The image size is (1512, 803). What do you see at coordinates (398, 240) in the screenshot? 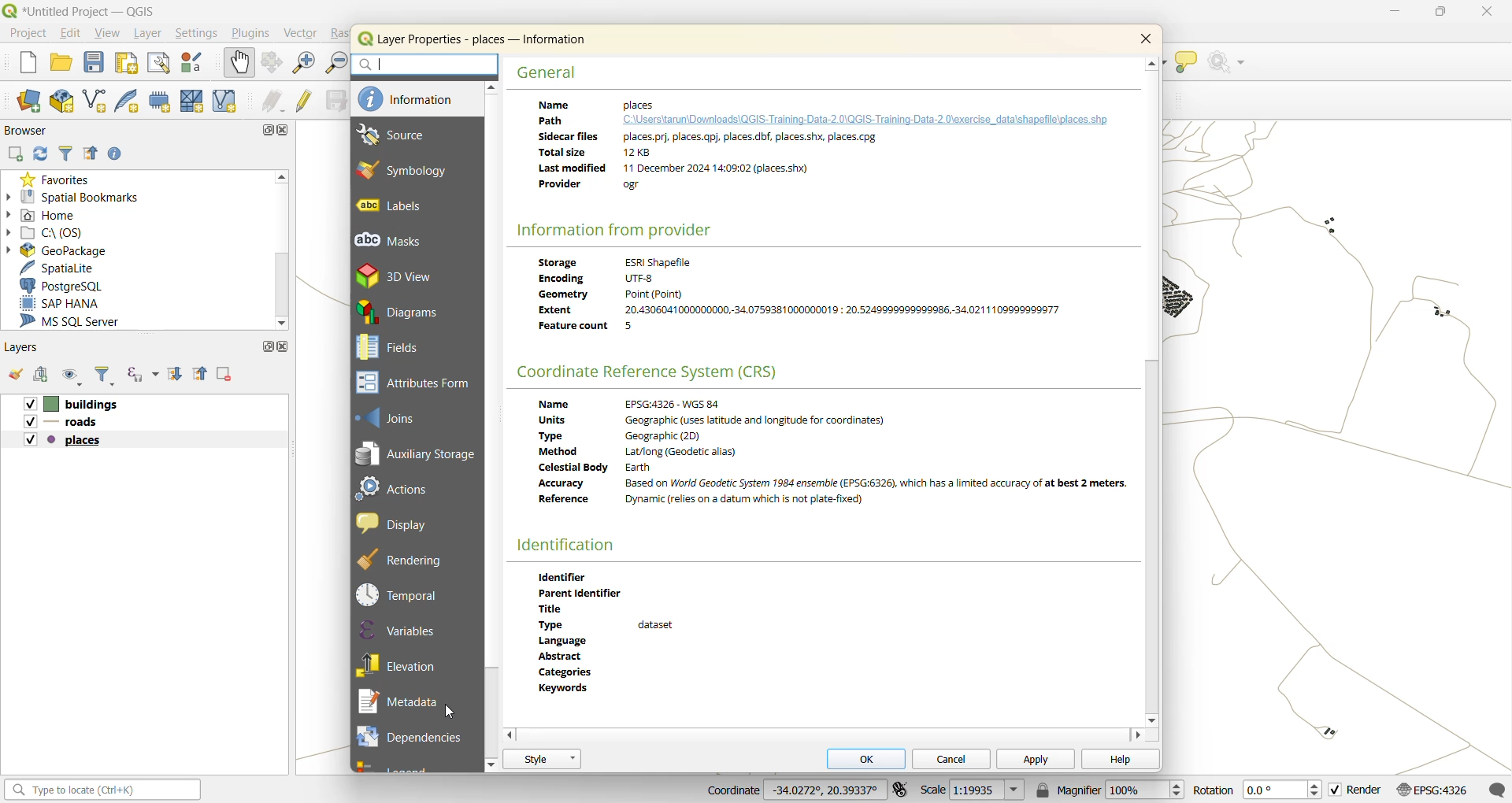
I see `masks` at bounding box center [398, 240].